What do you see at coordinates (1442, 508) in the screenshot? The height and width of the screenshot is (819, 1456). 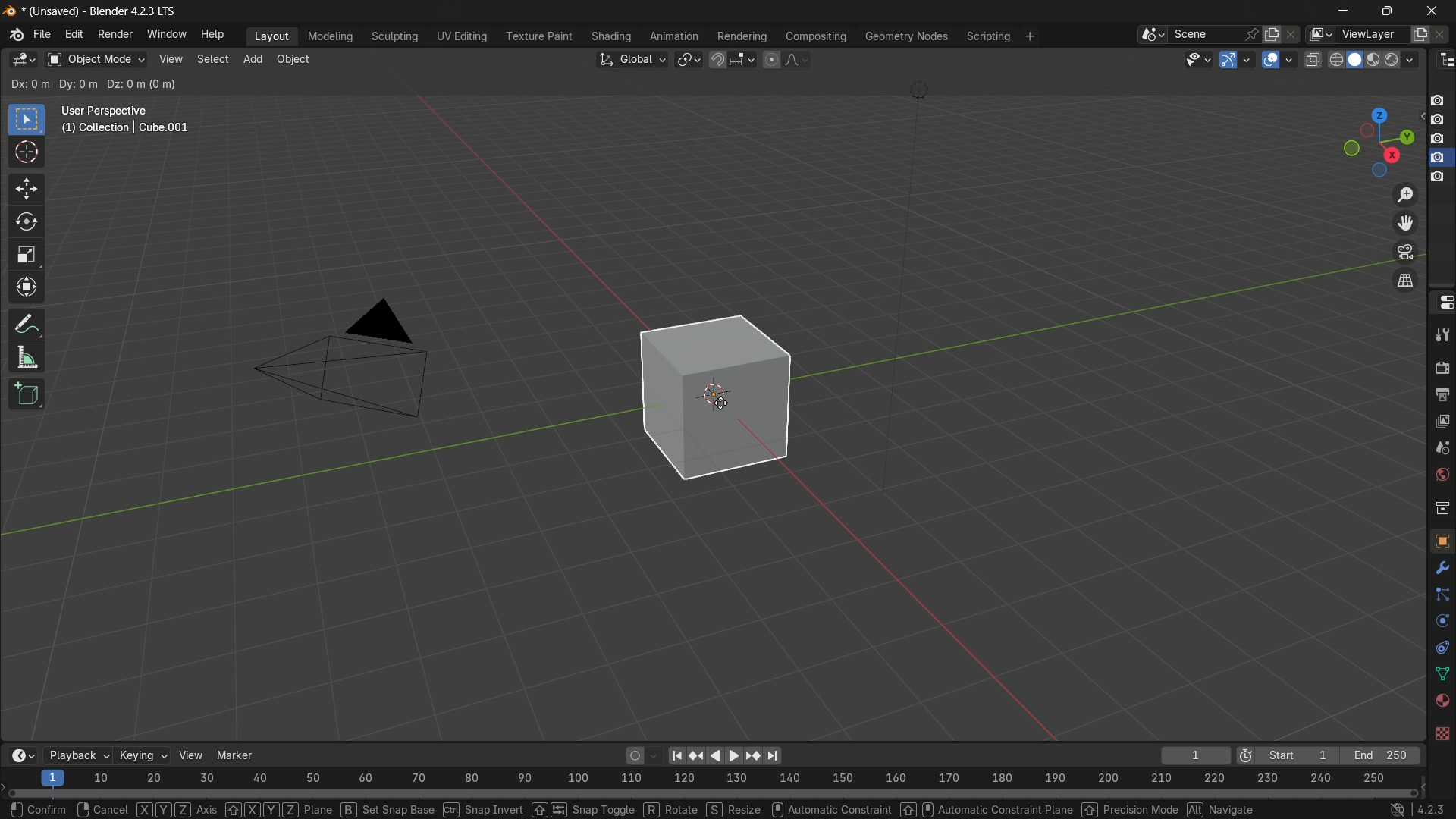 I see `collection` at bounding box center [1442, 508].